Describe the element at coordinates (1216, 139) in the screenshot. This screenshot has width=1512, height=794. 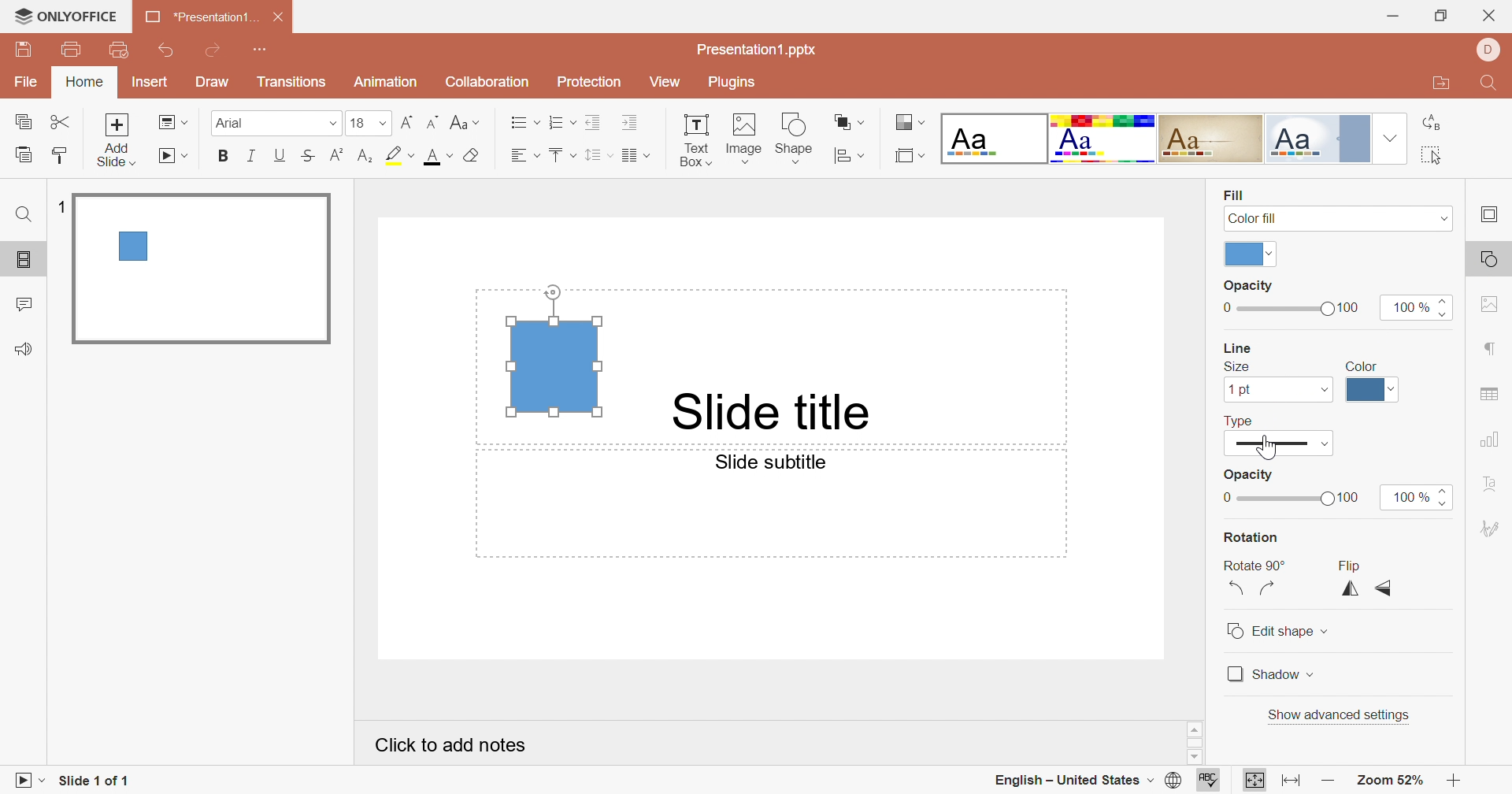
I see `Classic` at that location.